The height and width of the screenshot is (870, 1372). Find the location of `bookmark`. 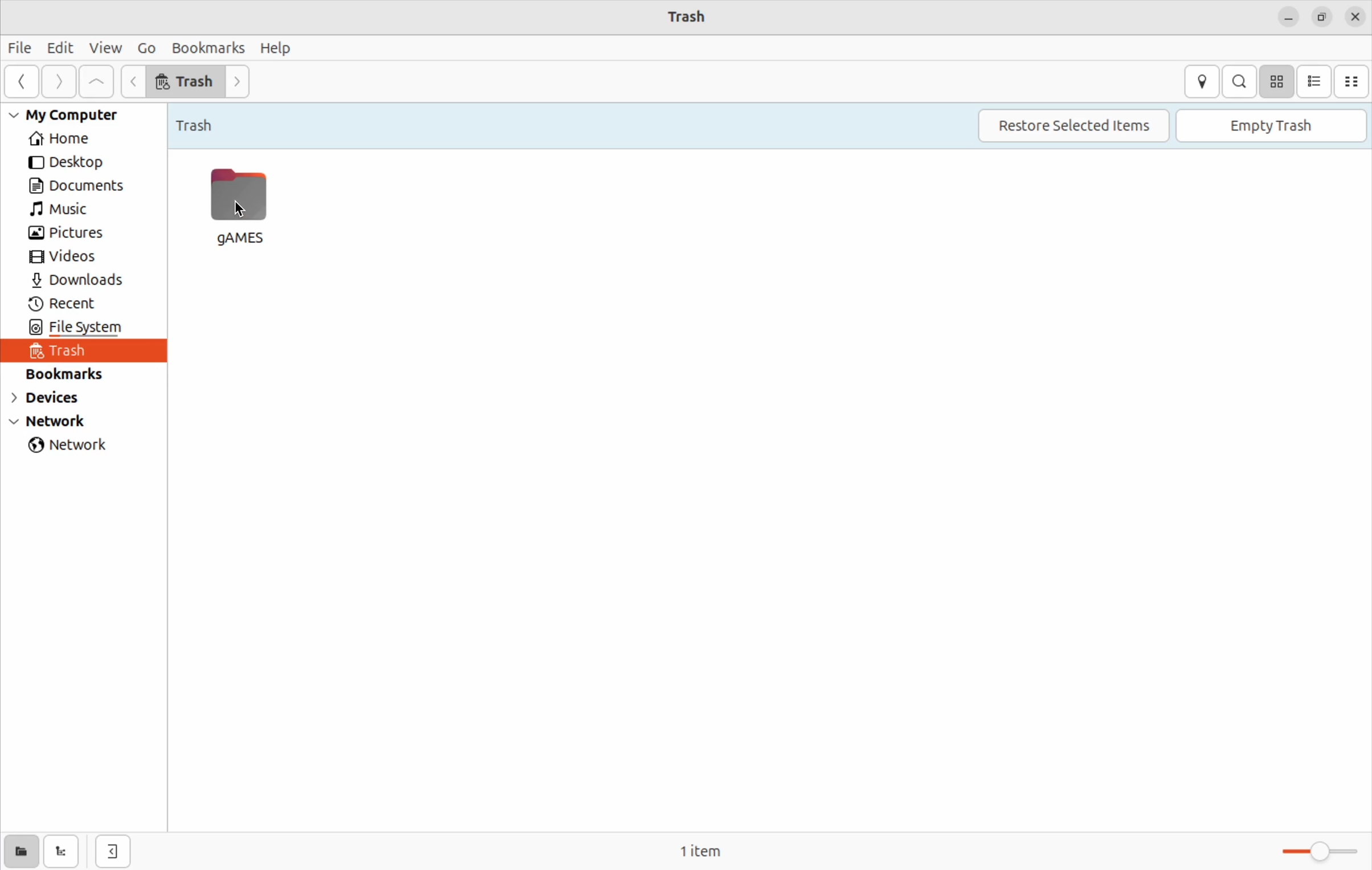

bookmark is located at coordinates (206, 47).